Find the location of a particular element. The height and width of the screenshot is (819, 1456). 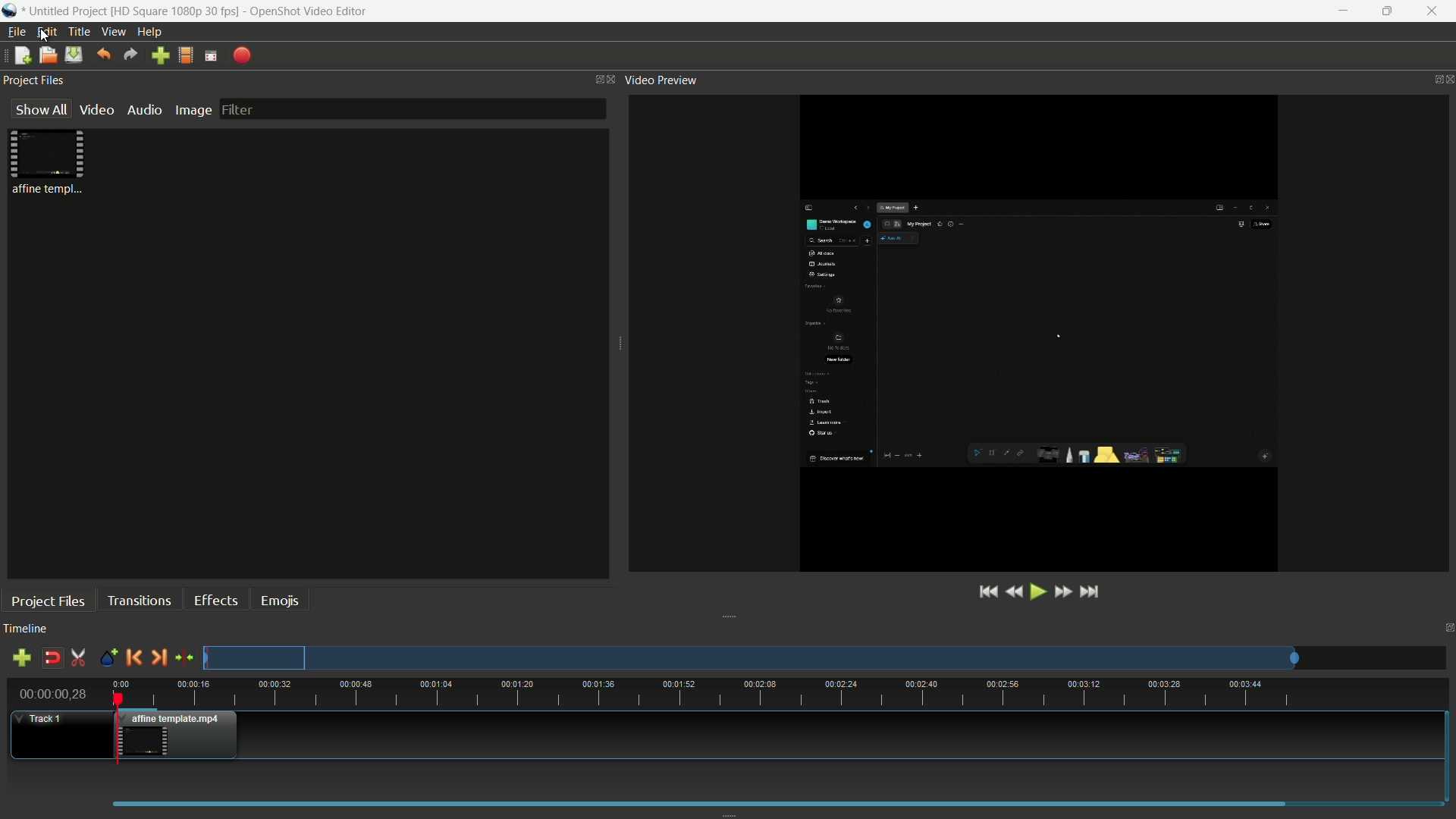

fast forward is located at coordinates (1065, 592).